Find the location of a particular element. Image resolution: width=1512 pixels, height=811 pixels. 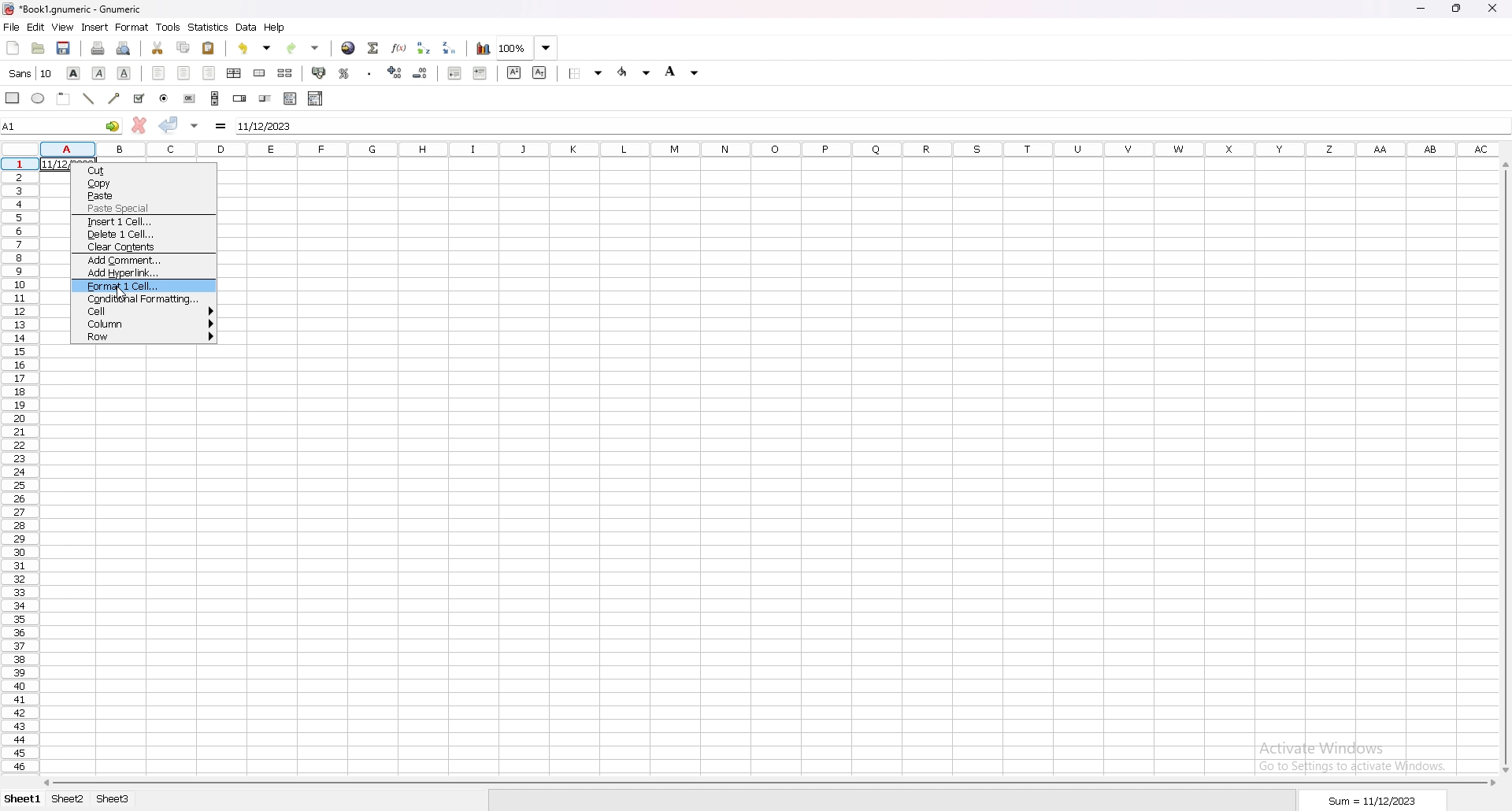

format is located at coordinates (132, 27).